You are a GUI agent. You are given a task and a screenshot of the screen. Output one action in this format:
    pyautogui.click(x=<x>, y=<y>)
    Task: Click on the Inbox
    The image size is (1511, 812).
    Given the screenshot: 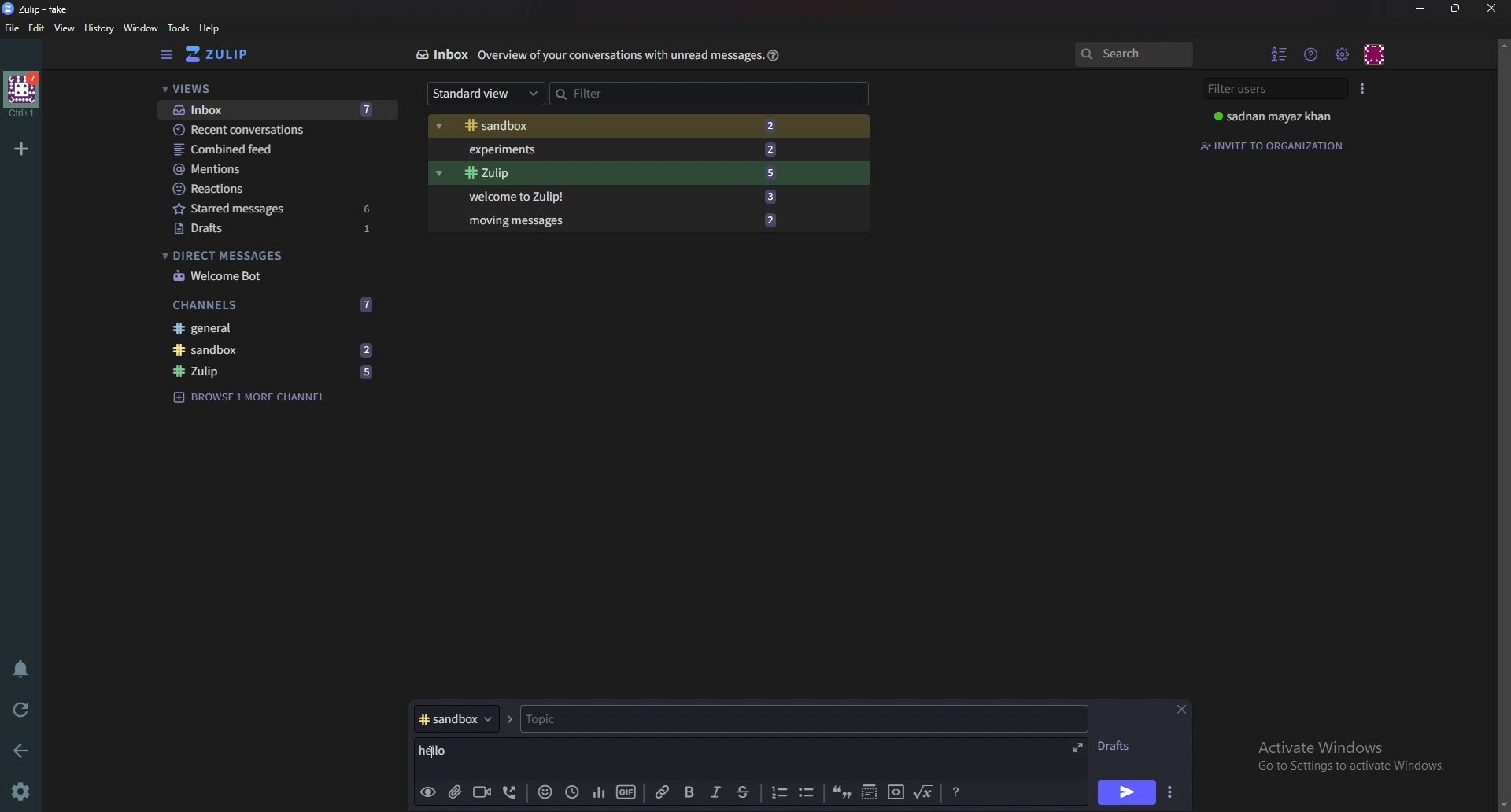 What is the action you would take?
    pyautogui.click(x=441, y=53)
    